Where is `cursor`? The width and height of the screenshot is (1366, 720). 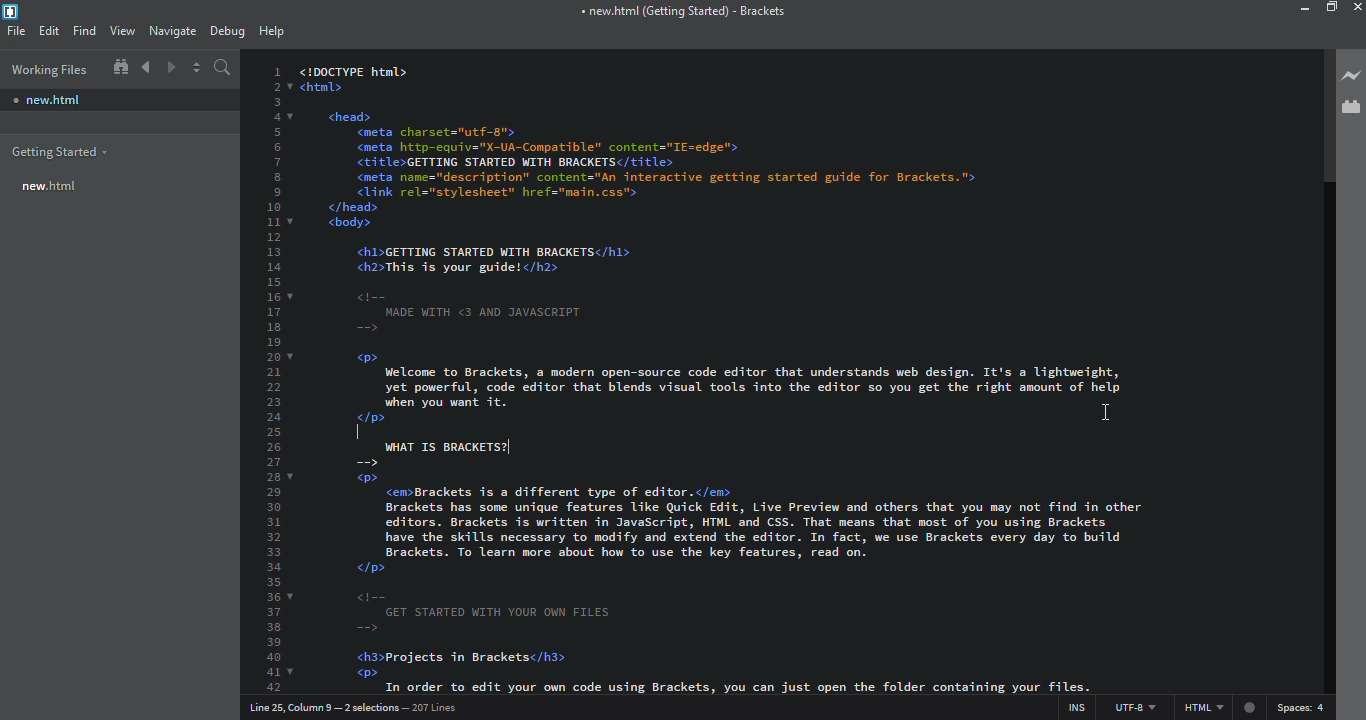
cursor is located at coordinates (1104, 413).